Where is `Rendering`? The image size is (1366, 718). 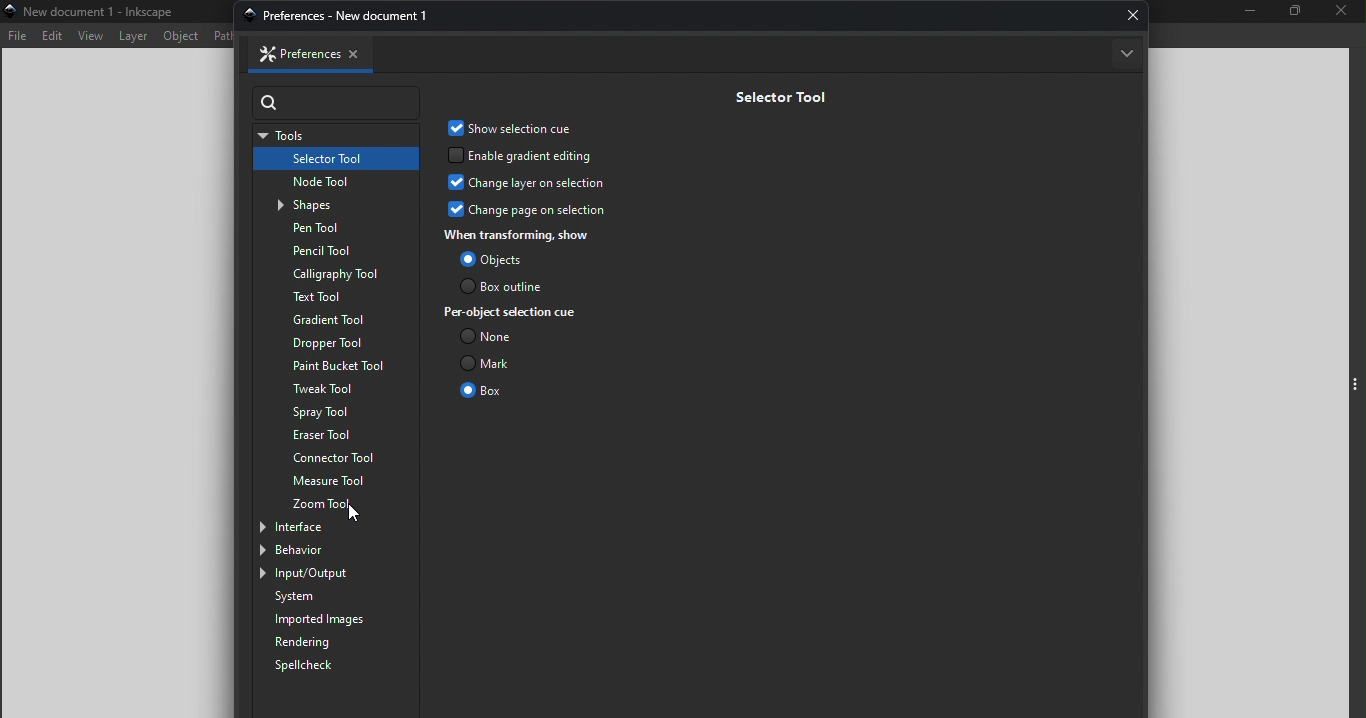 Rendering is located at coordinates (318, 643).